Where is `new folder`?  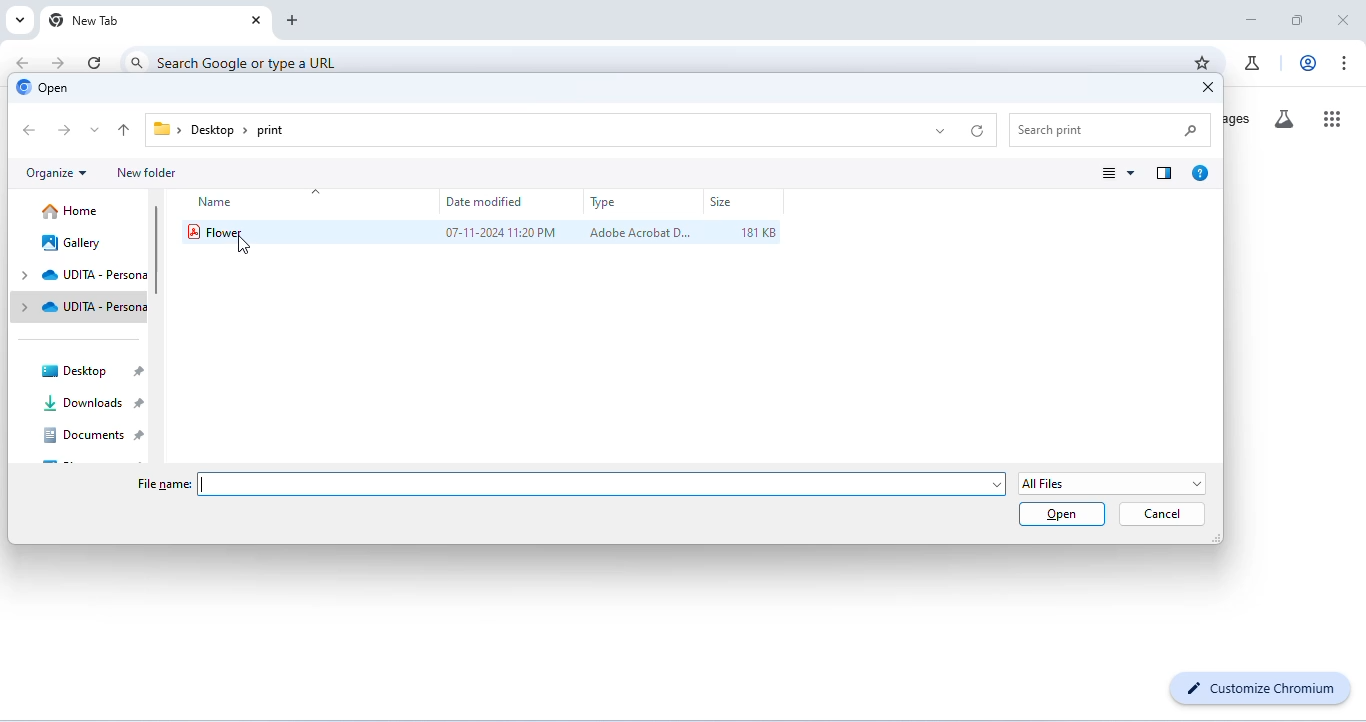
new folder is located at coordinates (145, 173).